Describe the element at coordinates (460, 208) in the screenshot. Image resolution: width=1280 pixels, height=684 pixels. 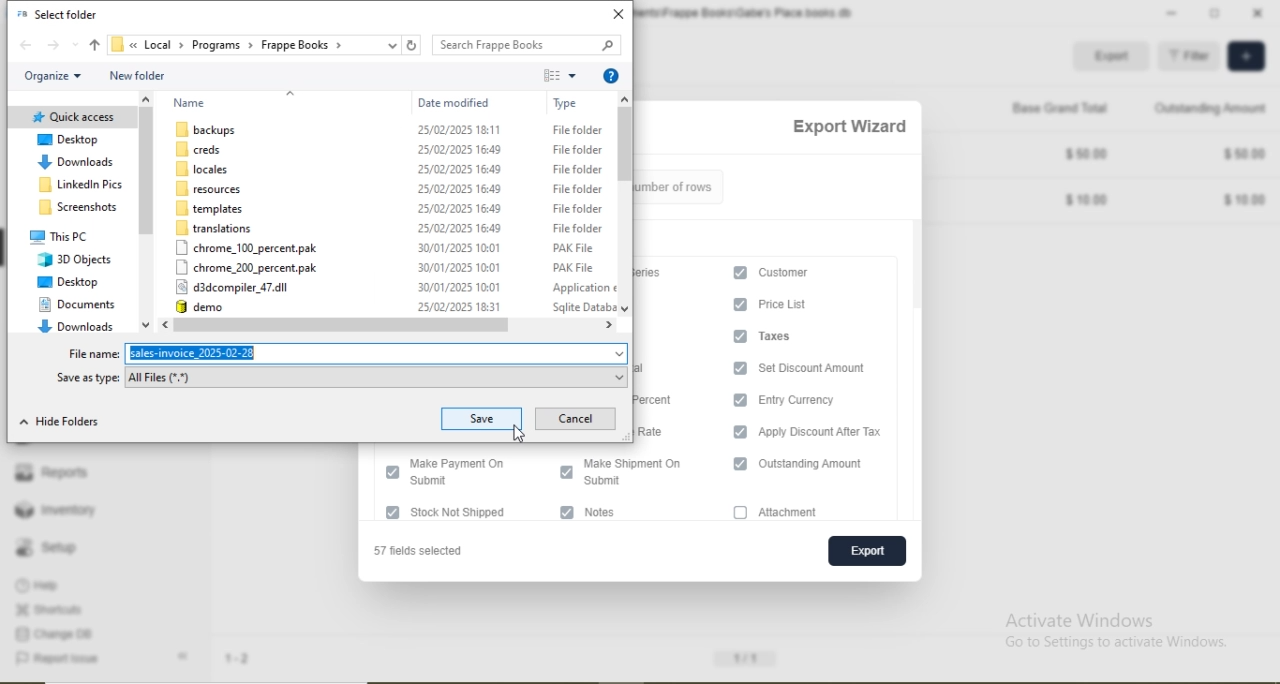
I see `25/02/2025 16:49` at that location.